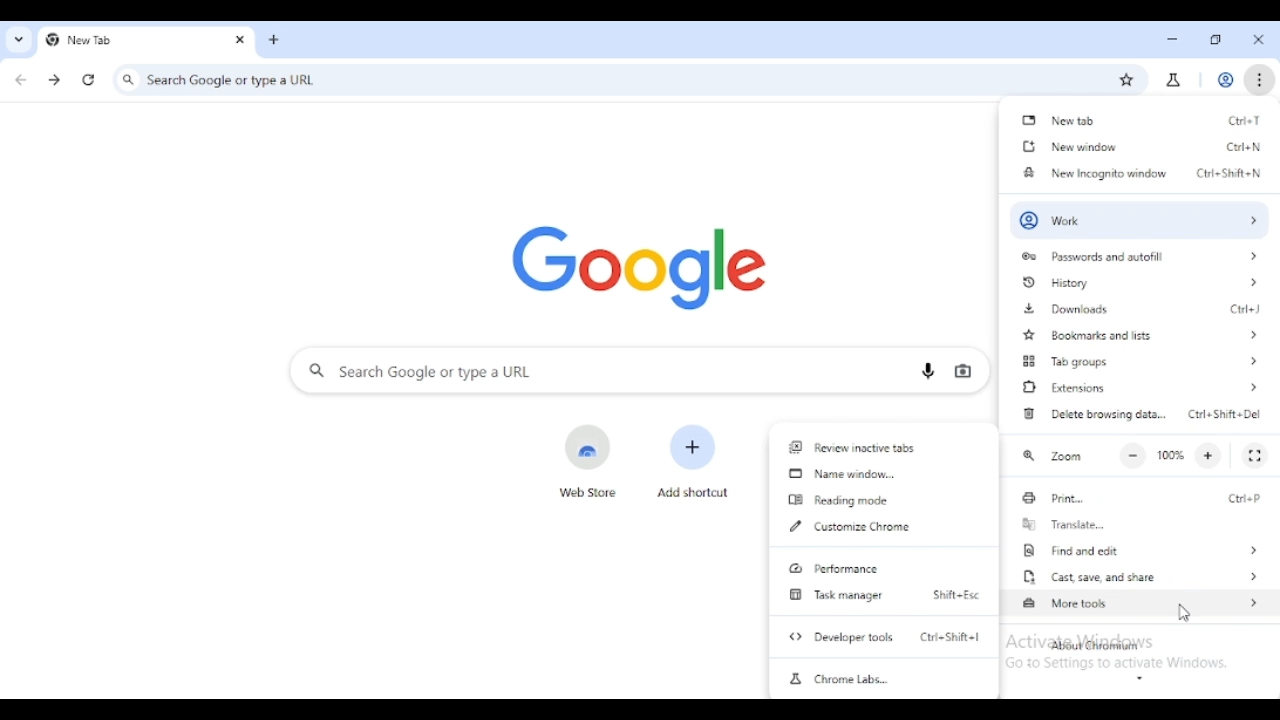 This screenshot has height=720, width=1280. What do you see at coordinates (1094, 173) in the screenshot?
I see `new incognito window` at bounding box center [1094, 173].